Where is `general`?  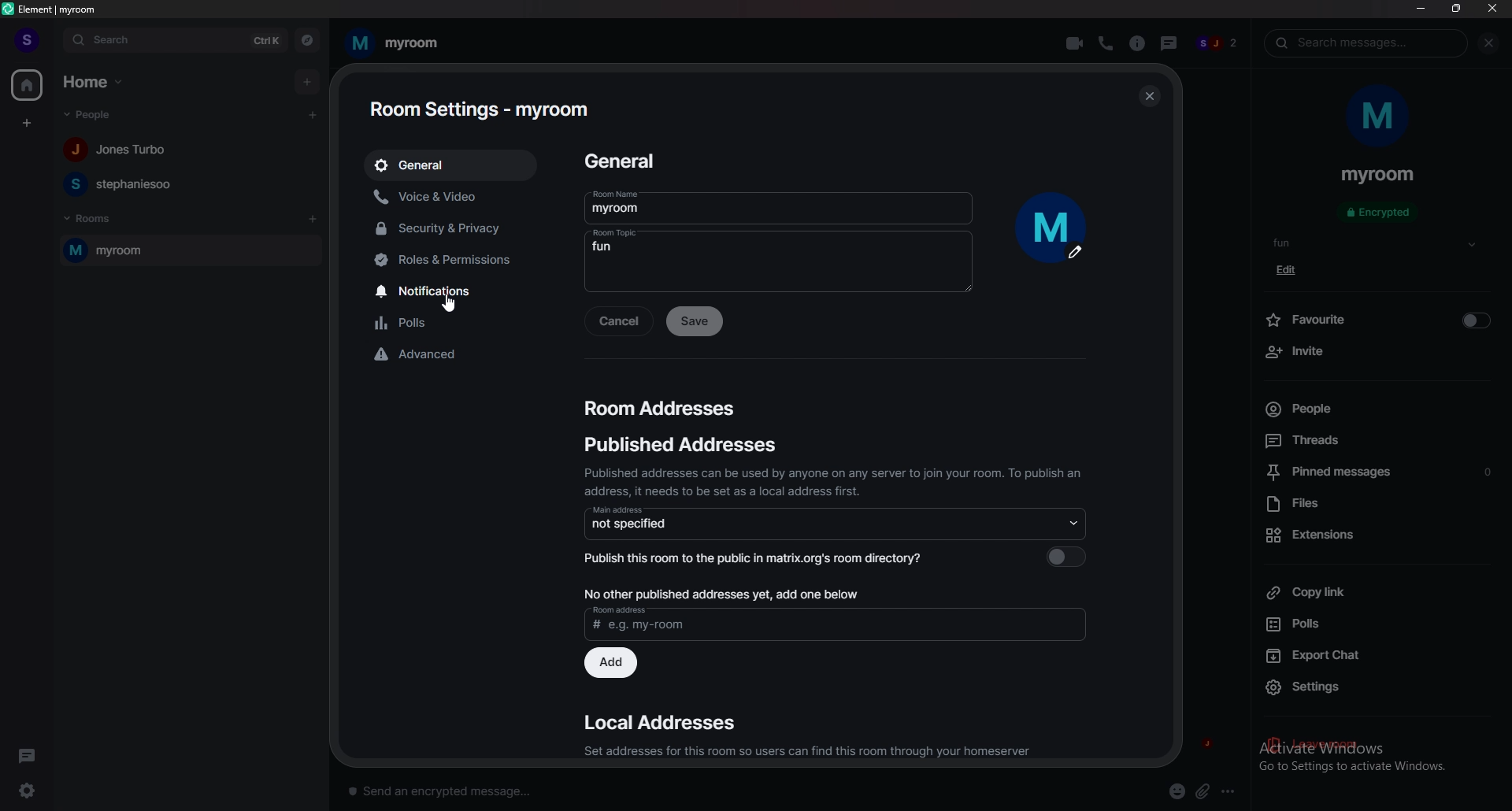
general is located at coordinates (626, 163).